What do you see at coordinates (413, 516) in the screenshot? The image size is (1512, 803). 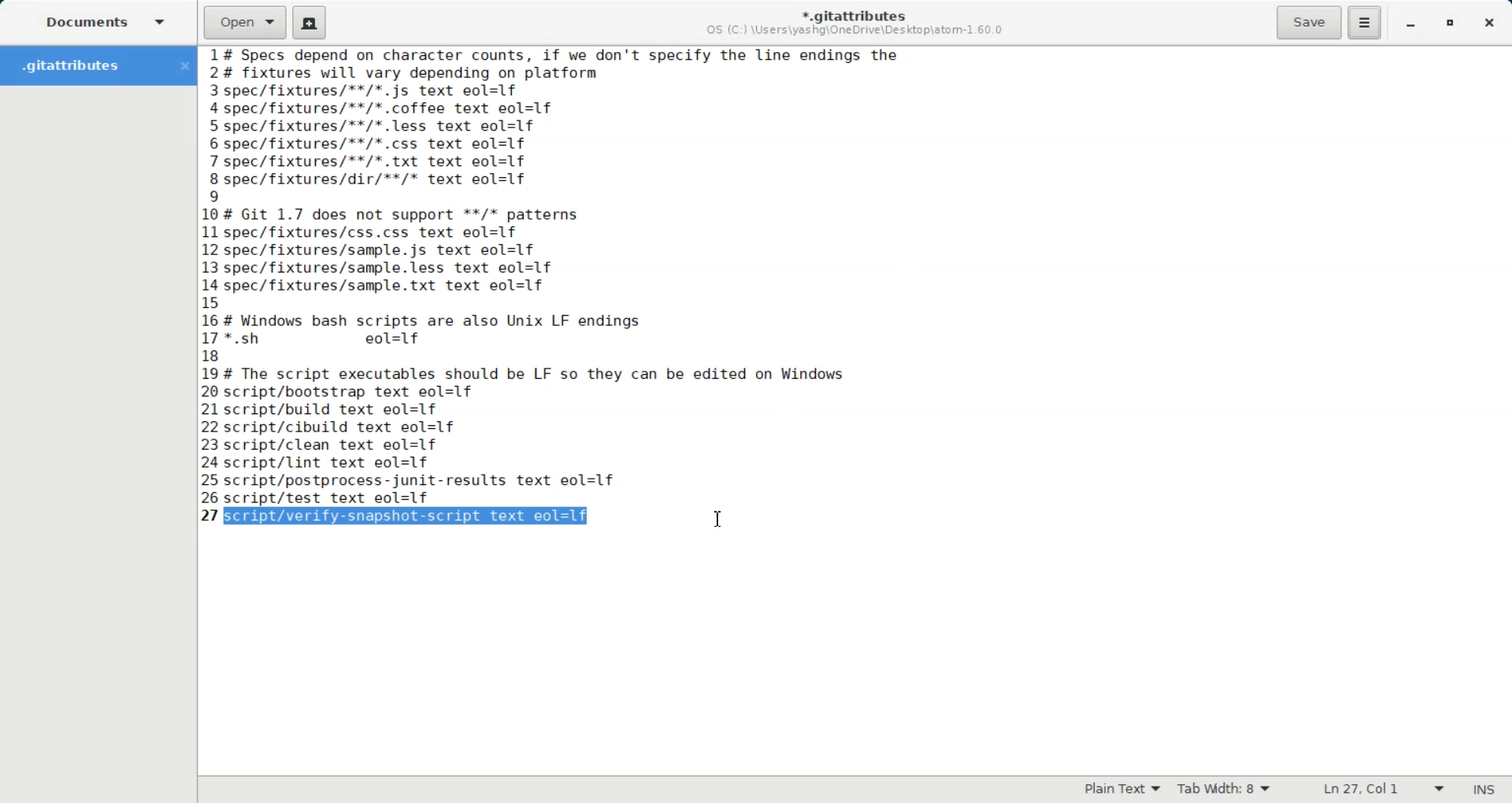 I see `script/verify-snapshot-script text eol=lf (selected)` at bounding box center [413, 516].